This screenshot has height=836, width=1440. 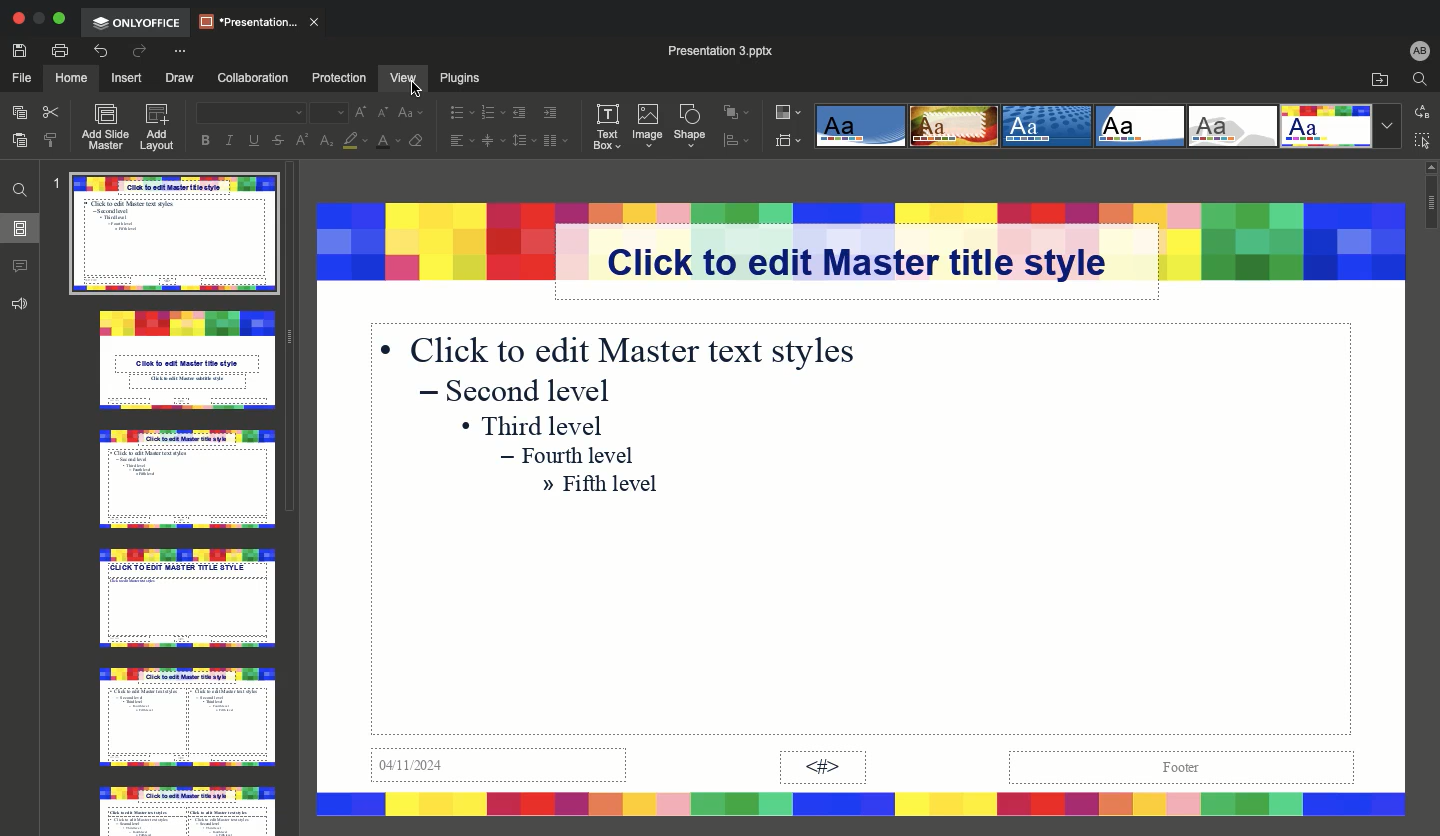 I want to click on Find and replace, so click(x=21, y=188).